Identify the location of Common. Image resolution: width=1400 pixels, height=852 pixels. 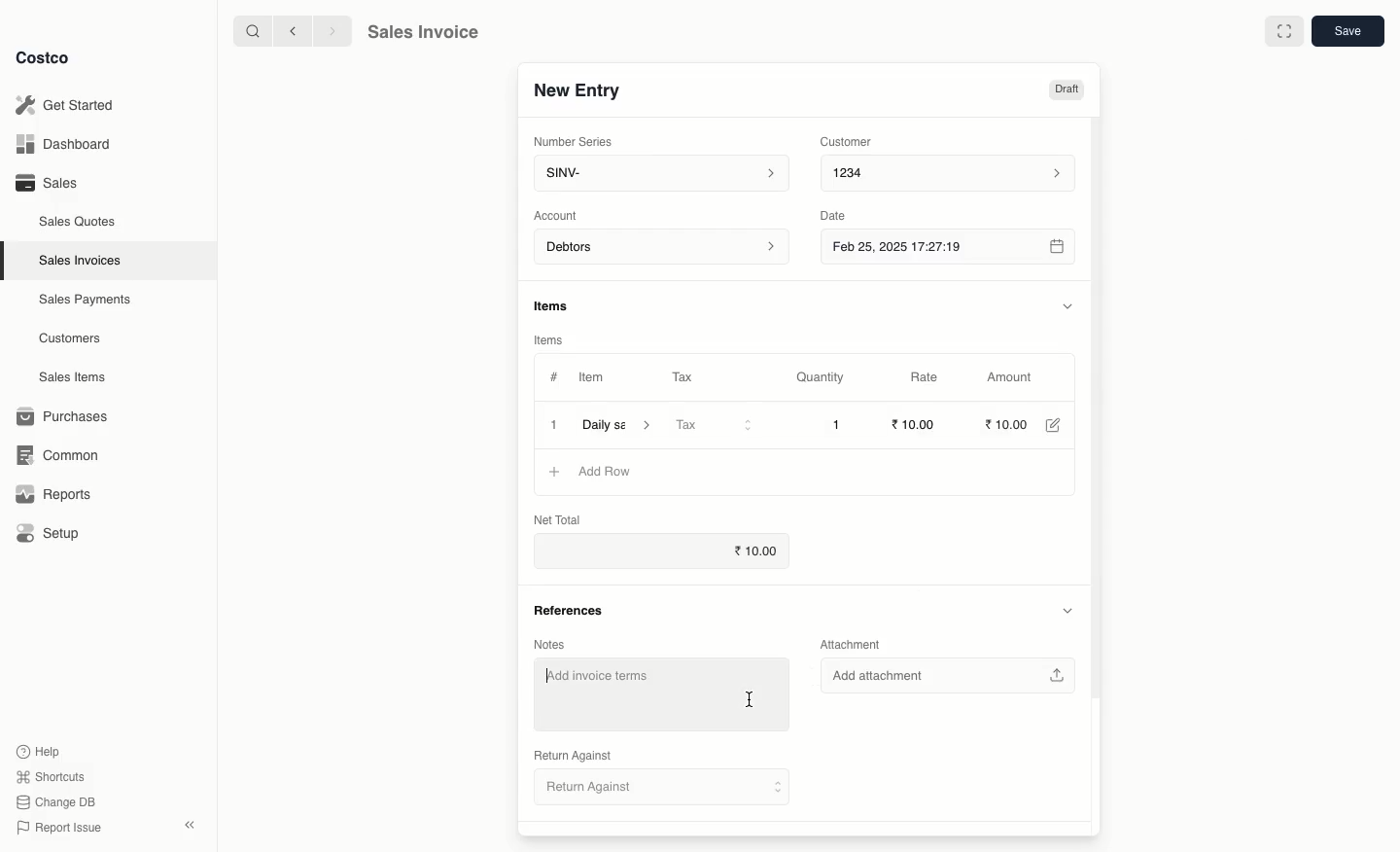
(60, 456).